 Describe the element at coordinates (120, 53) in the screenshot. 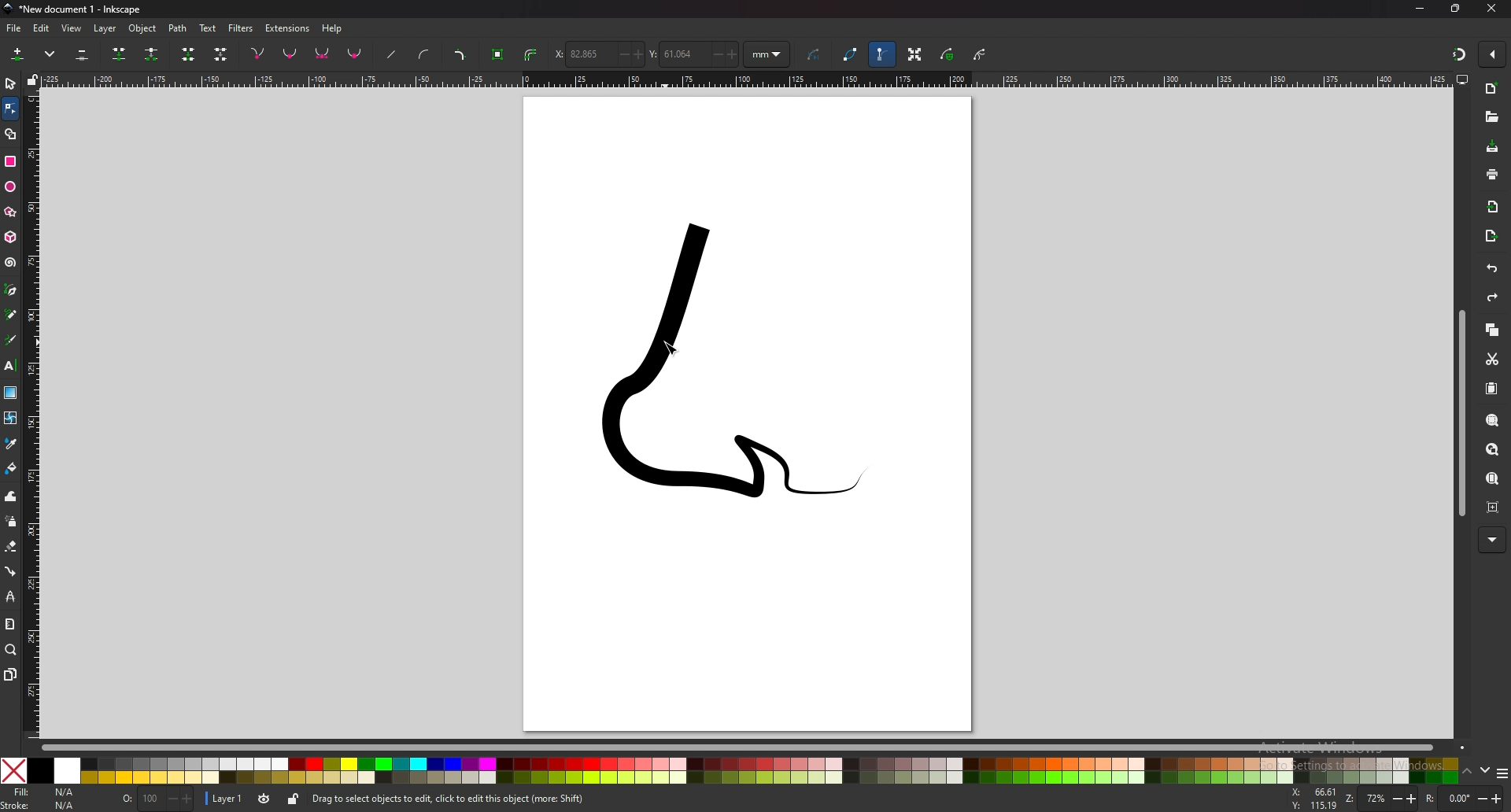

I see `join selected nodes` at that location.